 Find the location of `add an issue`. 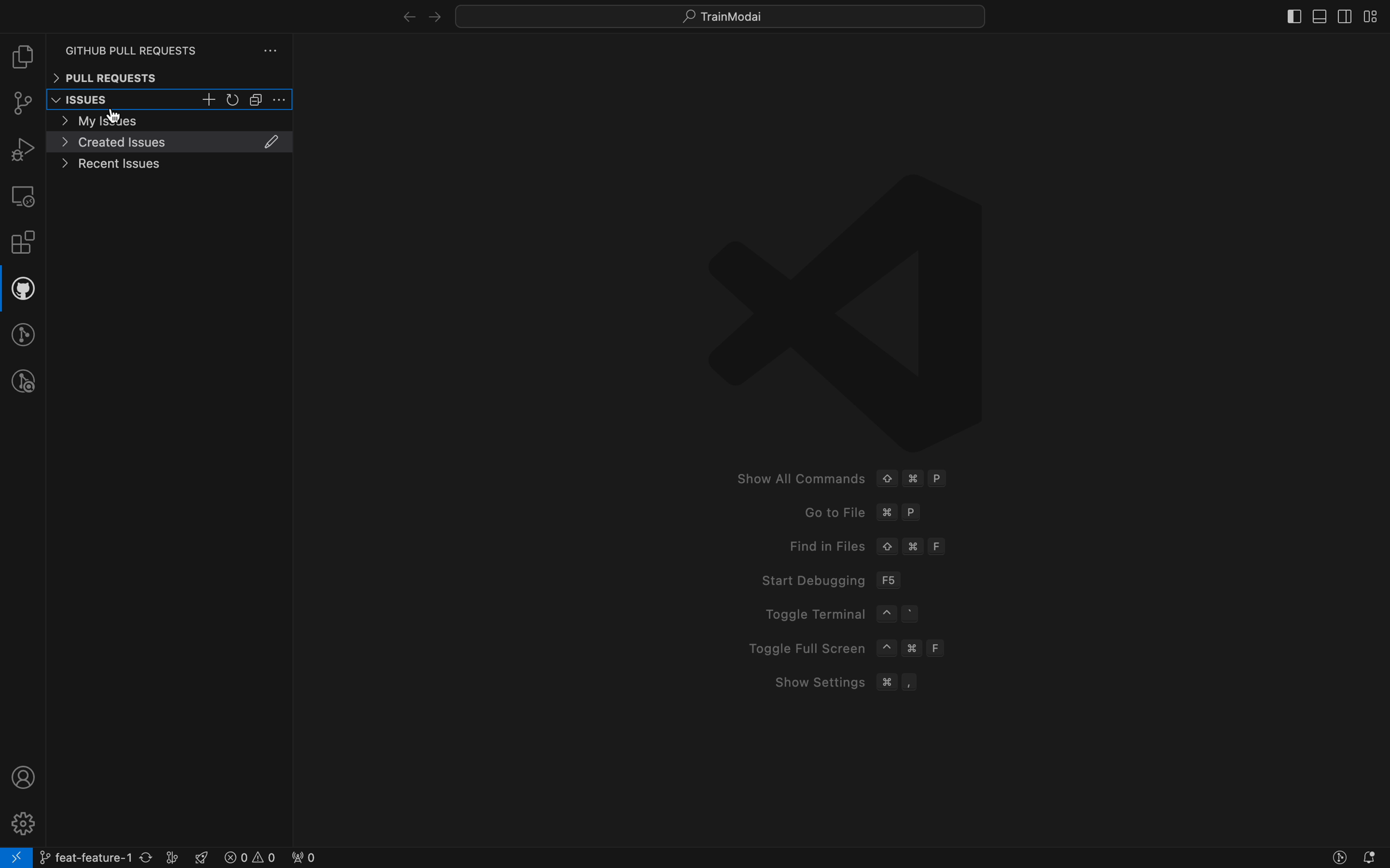

add an issue is located at coordinates (210, 100).